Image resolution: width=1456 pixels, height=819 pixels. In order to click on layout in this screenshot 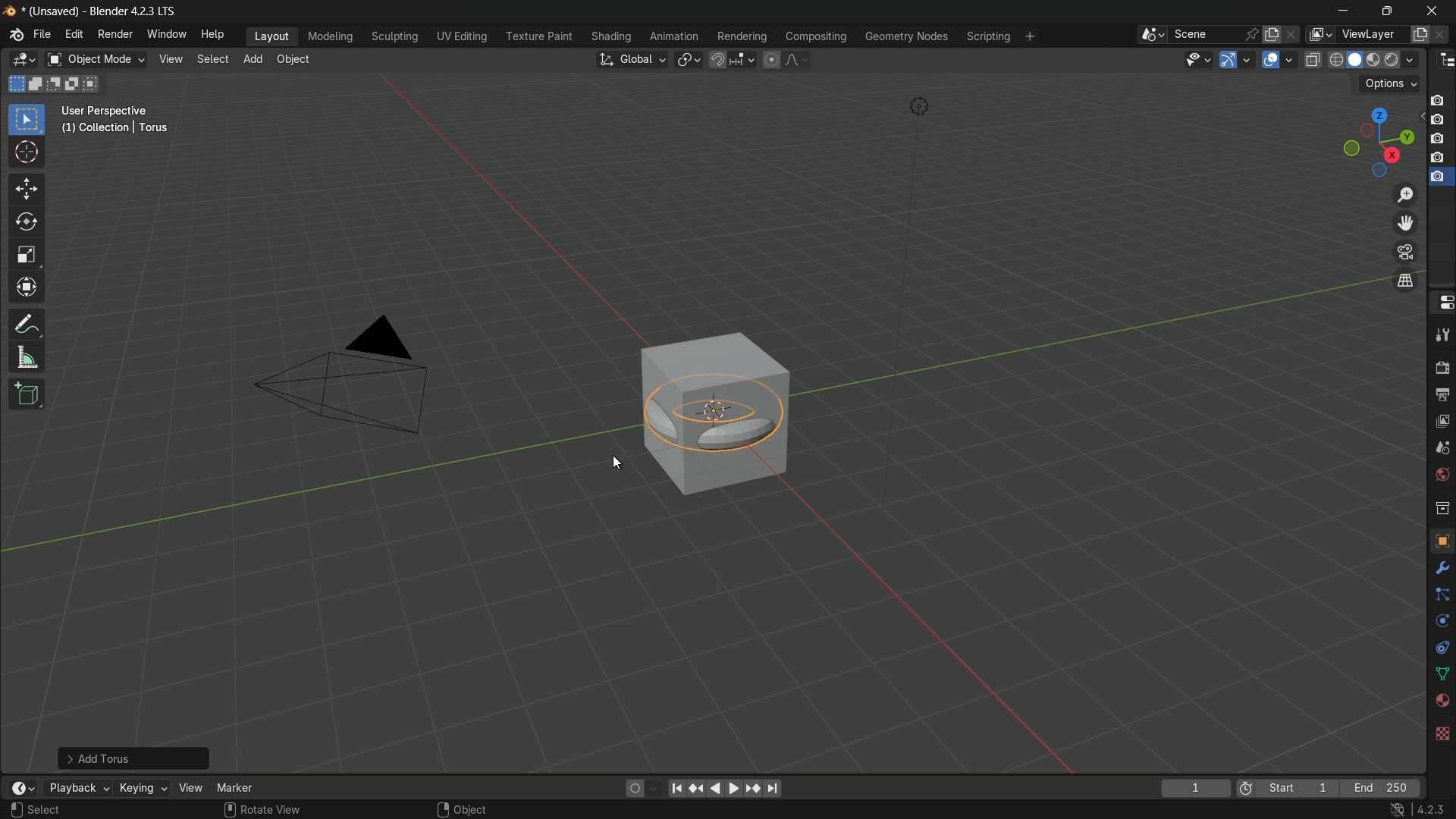, I will do `click(272, 36)`.